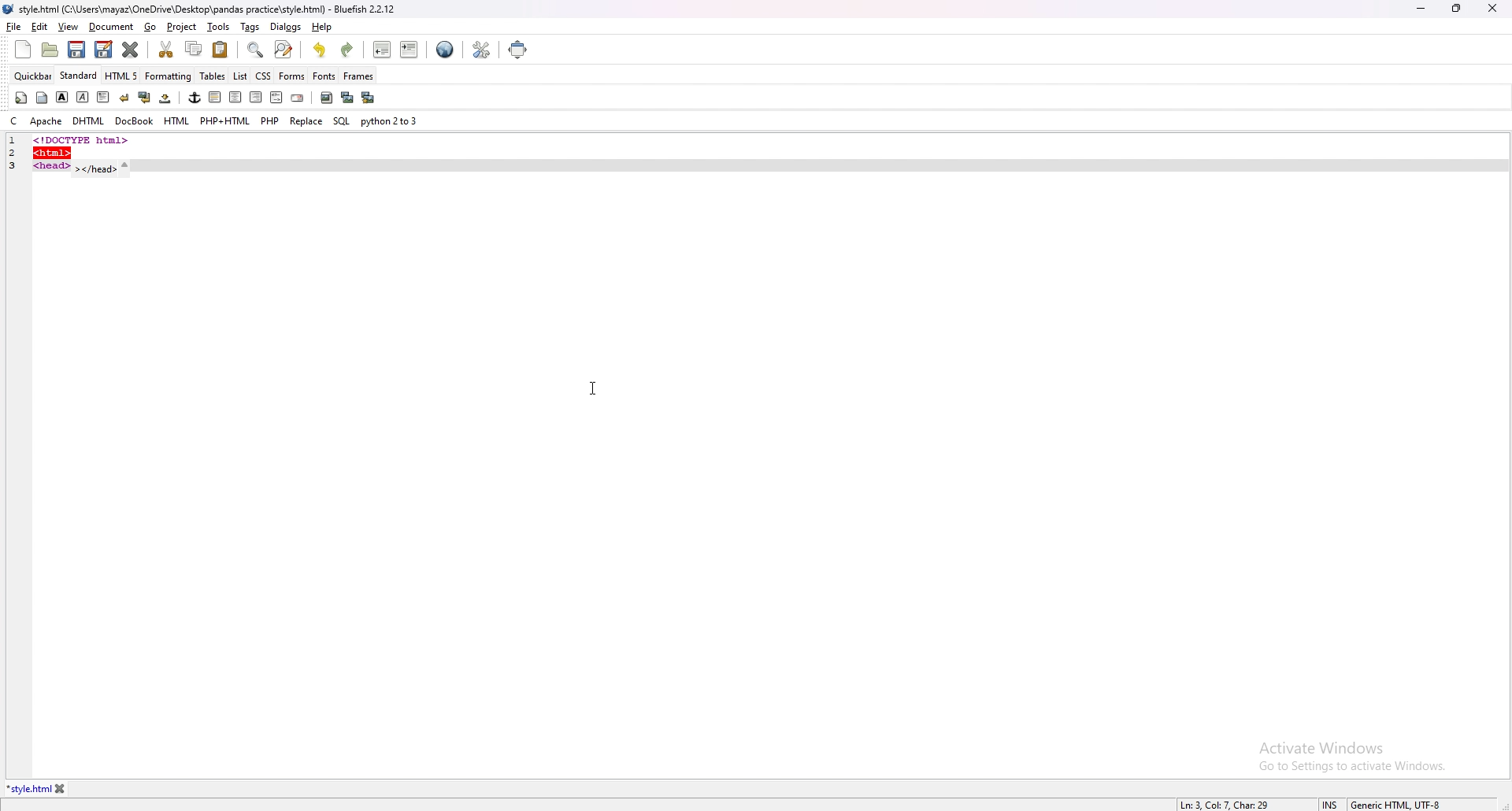 Image resolution: width=1512 pixels, height=811 pixels. What do you see at coordinates (251, 27) in the screenshot?
I see `tags` at bounding box center [251, 27].